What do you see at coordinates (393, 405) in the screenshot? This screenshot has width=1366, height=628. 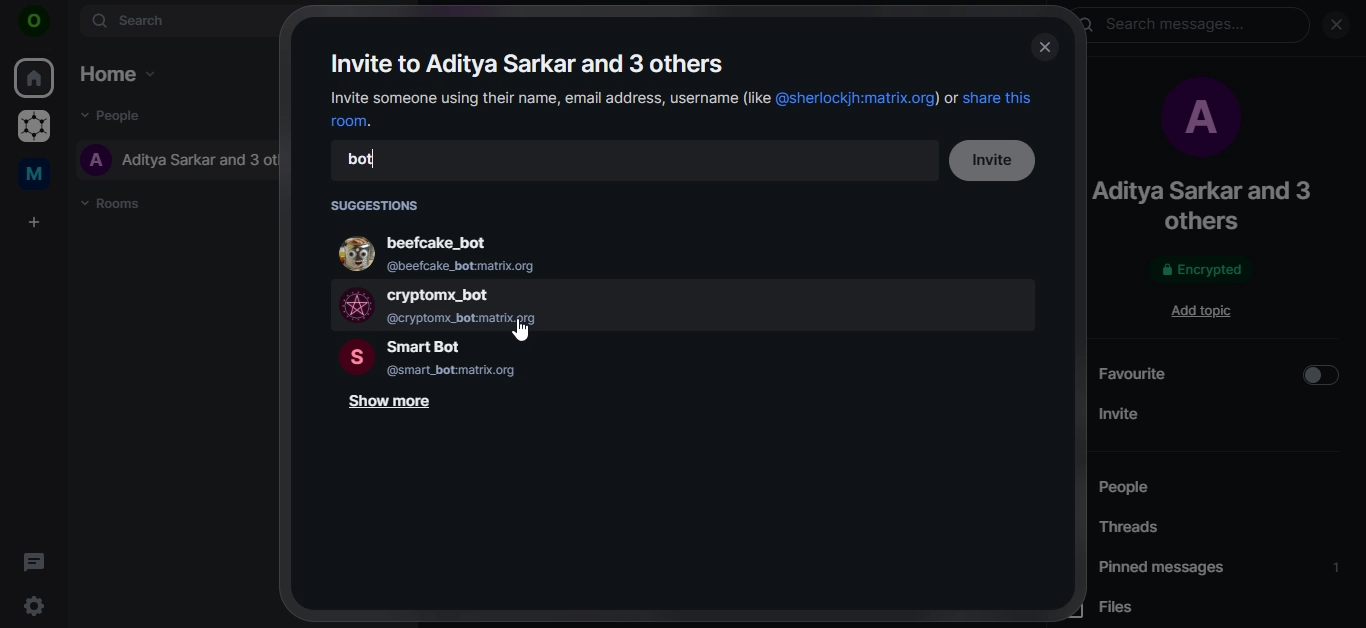 I see `show more` at bounding box center [393, 405].